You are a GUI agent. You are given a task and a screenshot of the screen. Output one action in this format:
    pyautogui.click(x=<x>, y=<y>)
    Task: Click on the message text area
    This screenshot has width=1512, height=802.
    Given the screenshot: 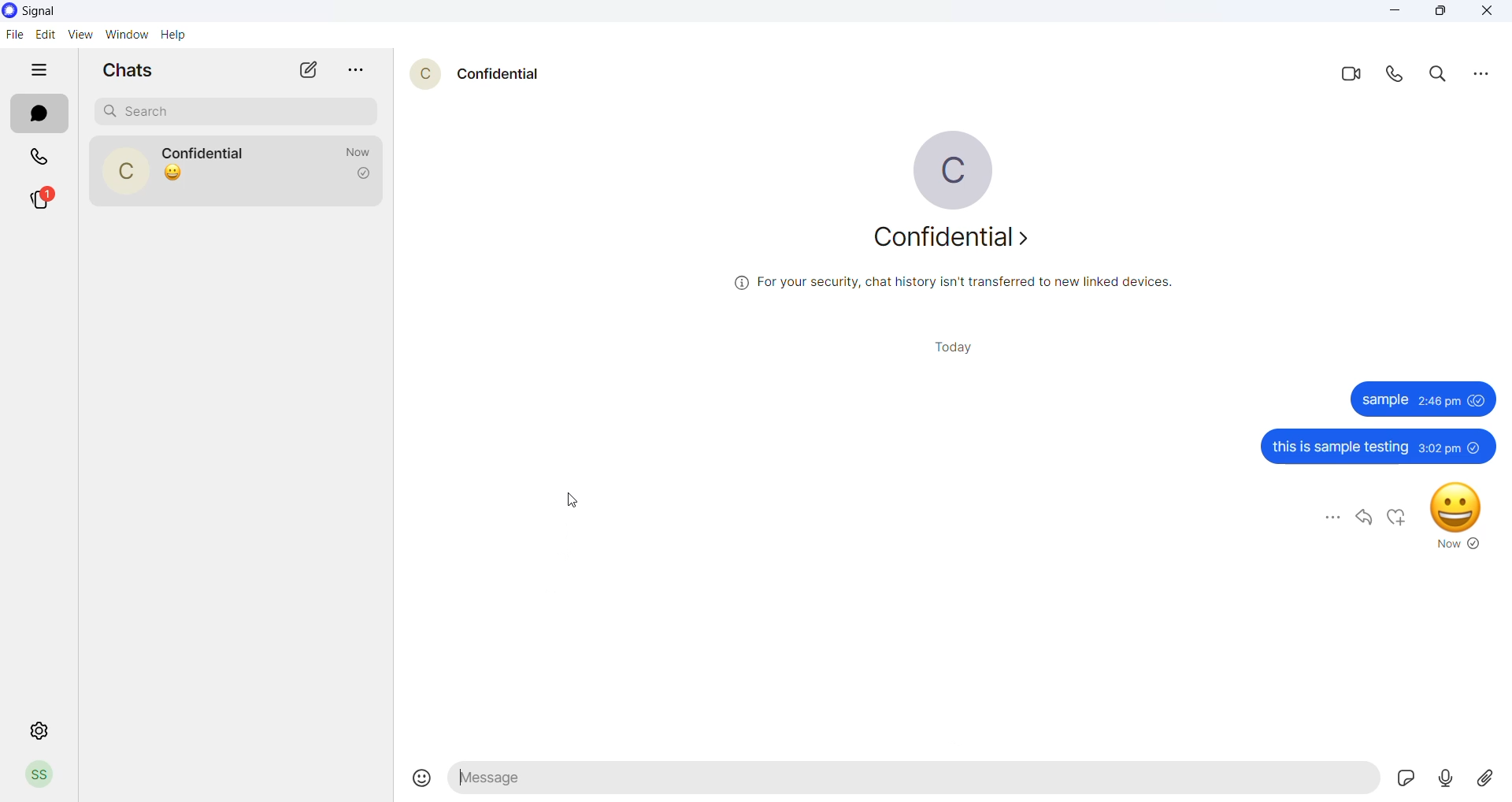 What is the action you would take?
    pyautogui.click(x=984, y=779)
    